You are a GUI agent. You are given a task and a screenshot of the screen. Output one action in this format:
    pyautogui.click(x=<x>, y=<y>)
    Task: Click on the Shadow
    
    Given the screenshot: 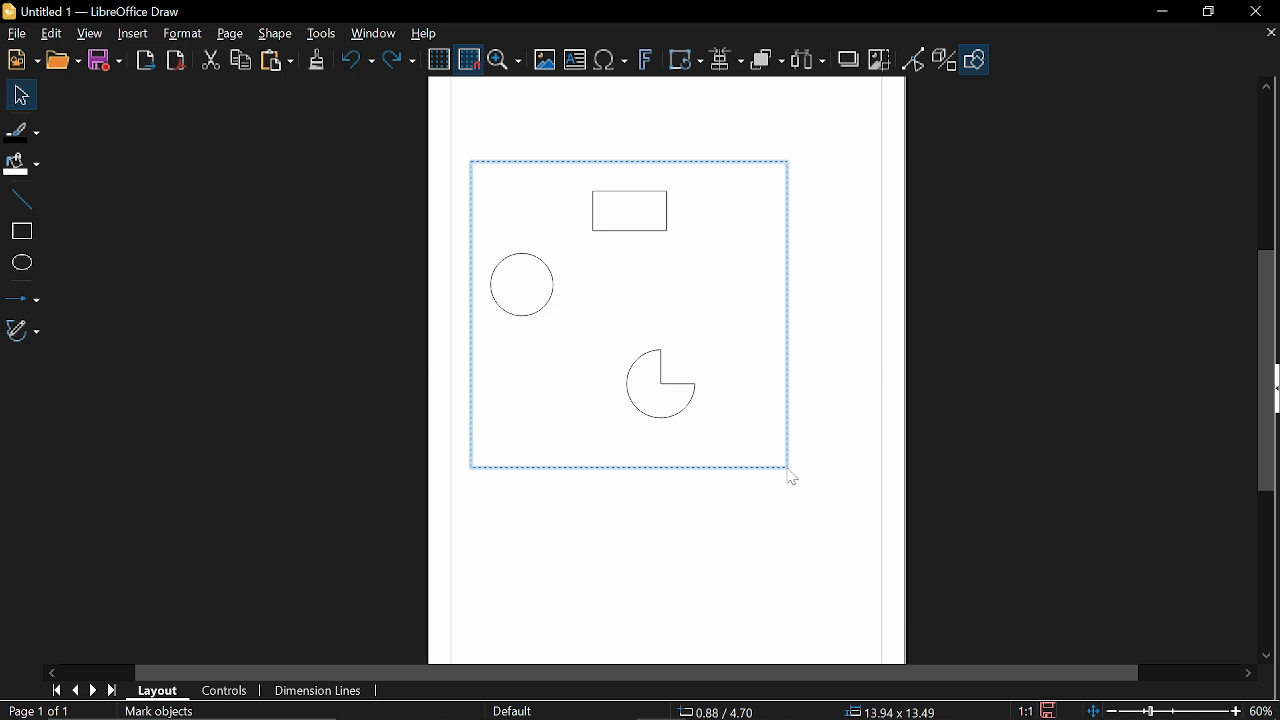 What is the action you would take?
    pyautogui.click(x=849, y=59)
    